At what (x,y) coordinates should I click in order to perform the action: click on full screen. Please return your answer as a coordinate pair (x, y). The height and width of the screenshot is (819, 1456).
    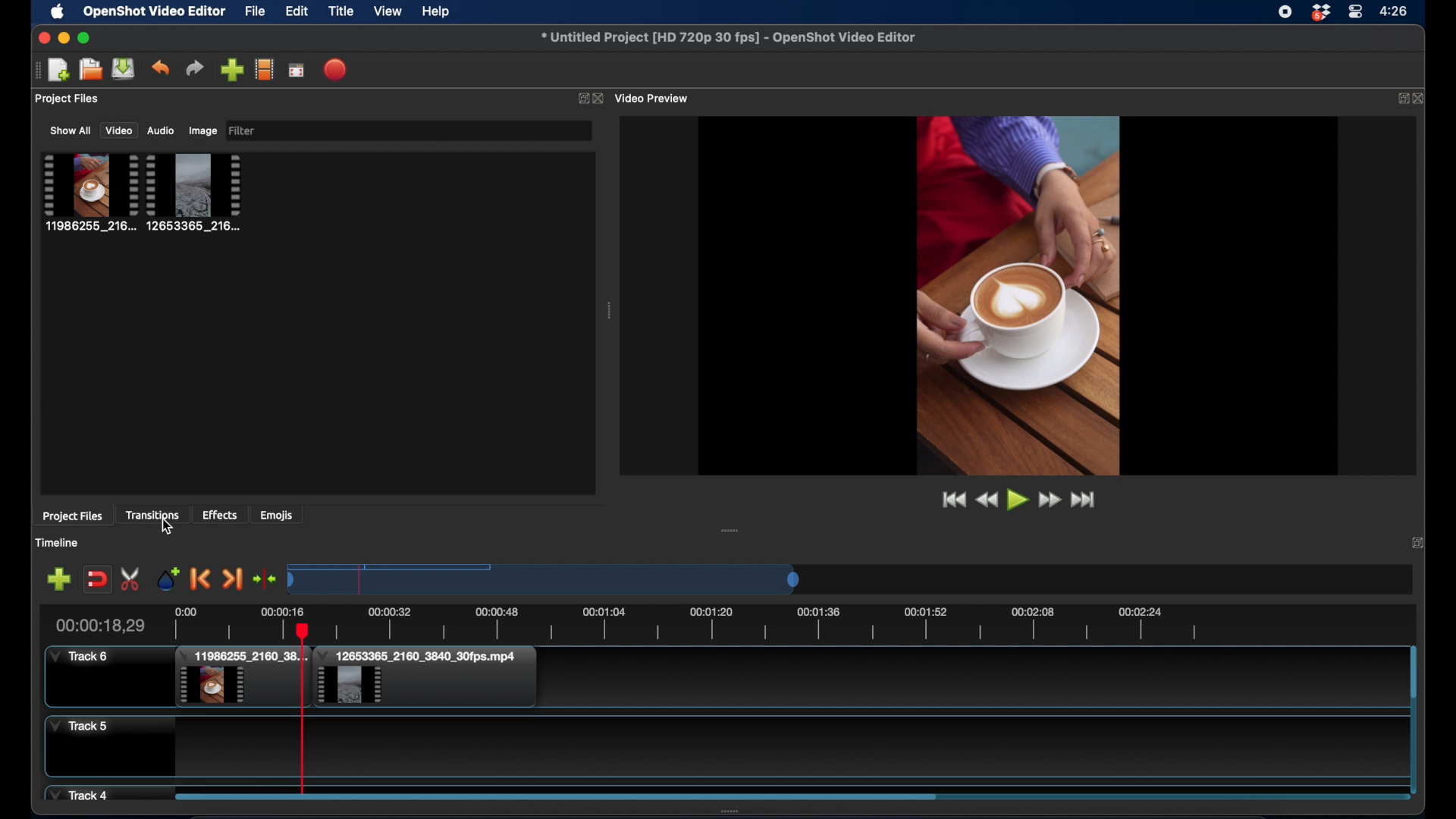
    Looking at the image, I should click on (297, 69).